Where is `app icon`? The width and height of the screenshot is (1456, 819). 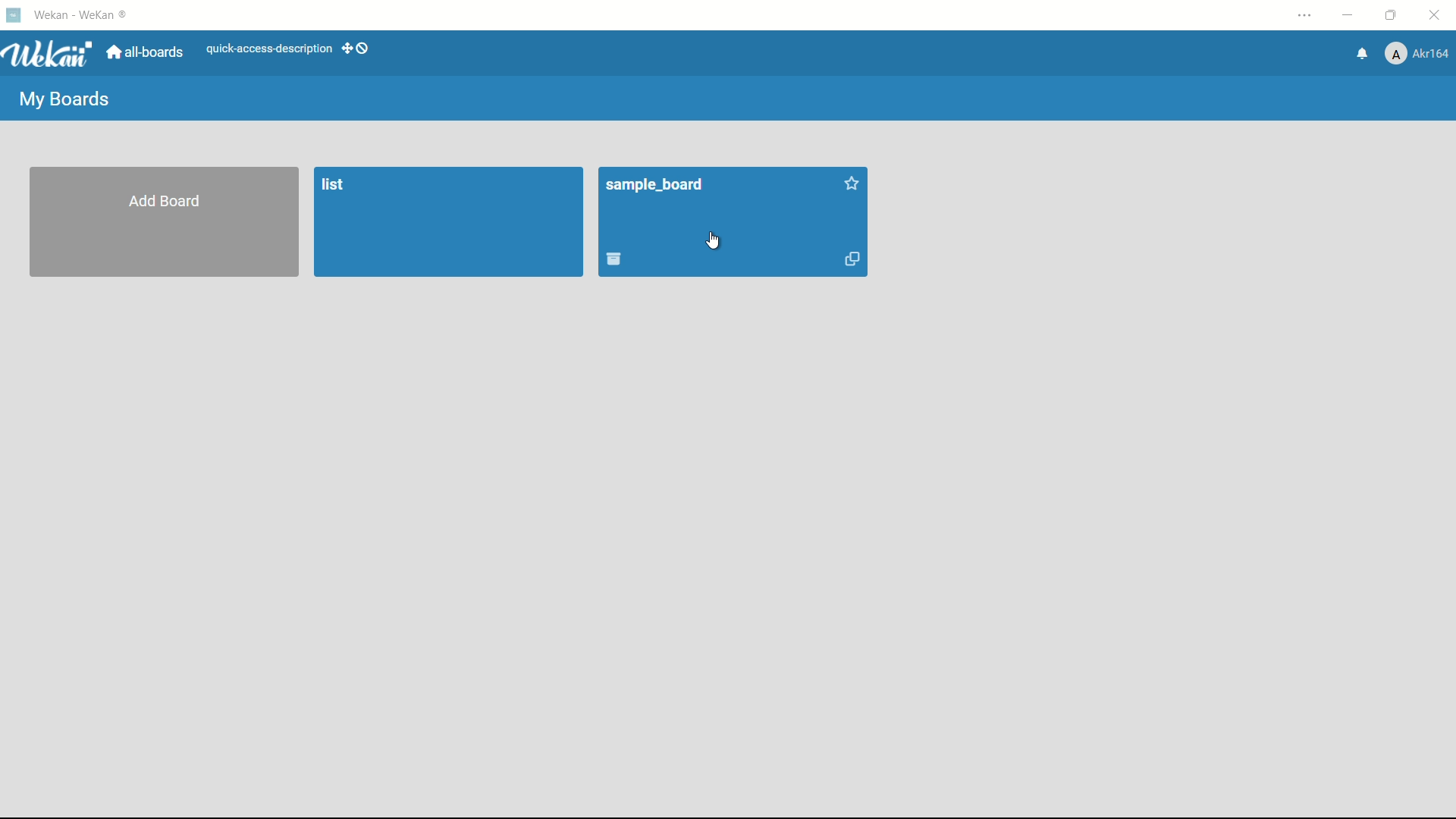
app icon is located at coordinates (13, 14).